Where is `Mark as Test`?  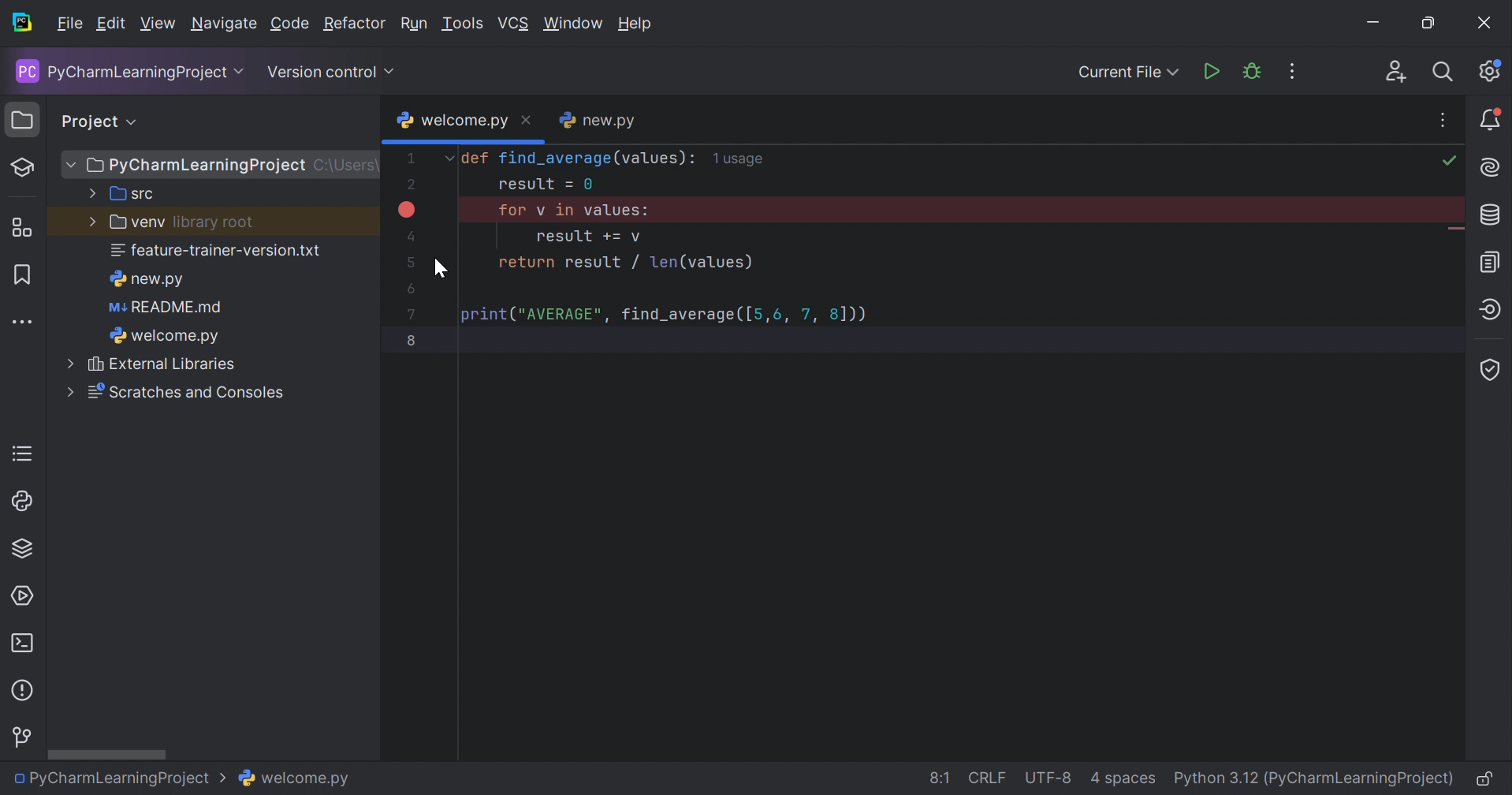
Mark as Test is located at coordinates (23, 168).